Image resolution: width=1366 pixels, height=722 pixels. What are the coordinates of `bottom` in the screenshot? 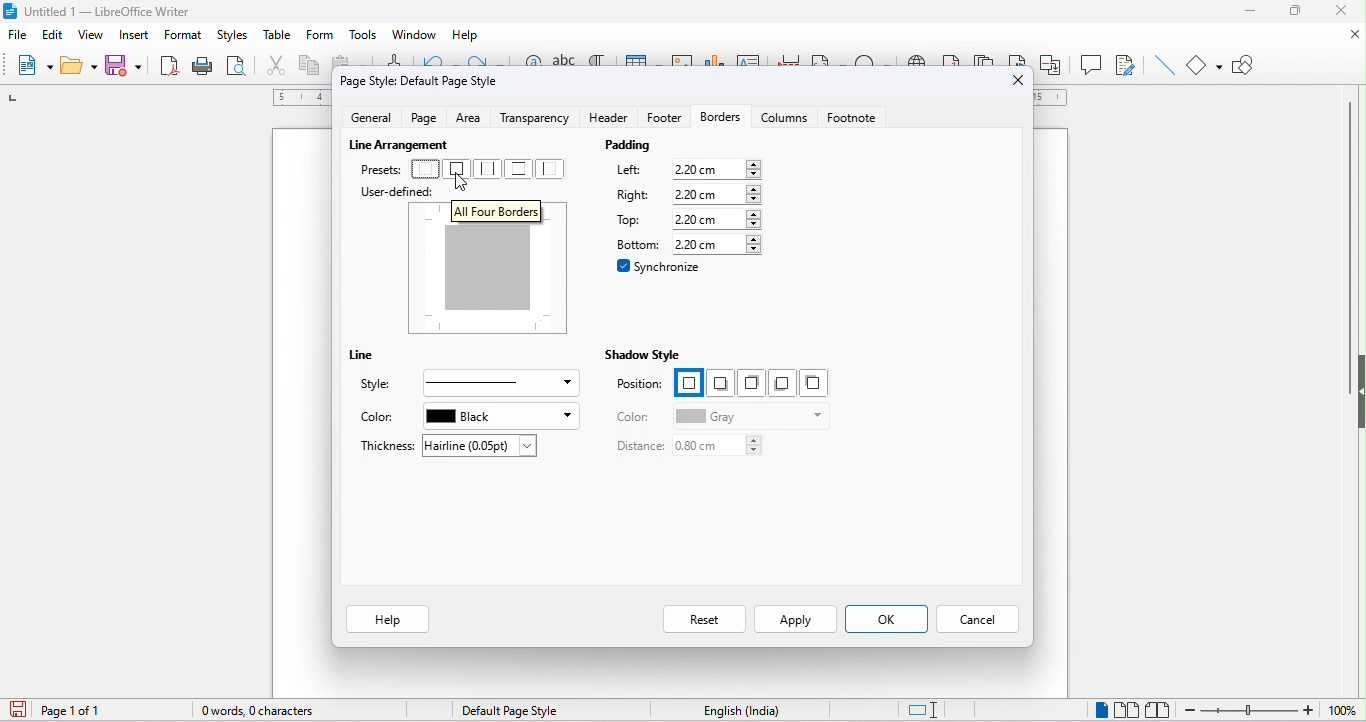 It's located at (635, 243).